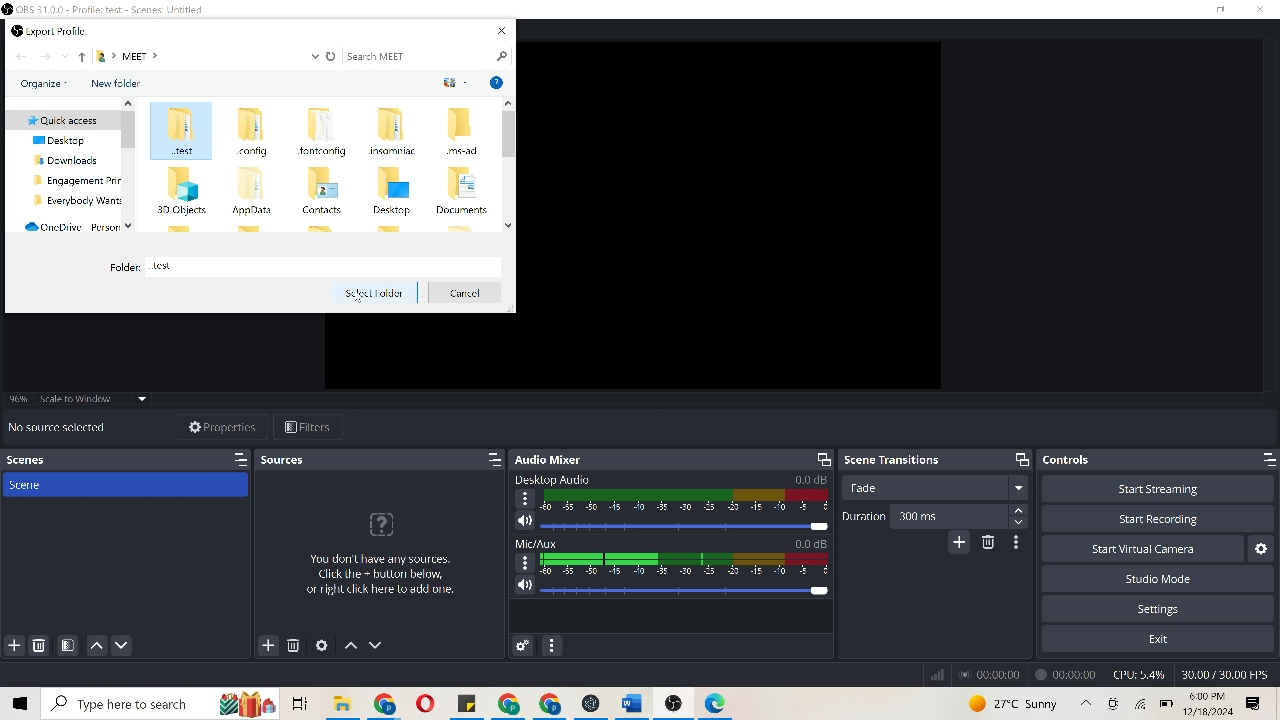 This screenshot has width=1280, height=720. Describe the element at coordinates (935, 672) in the screenshot. I see `signal` at that location.